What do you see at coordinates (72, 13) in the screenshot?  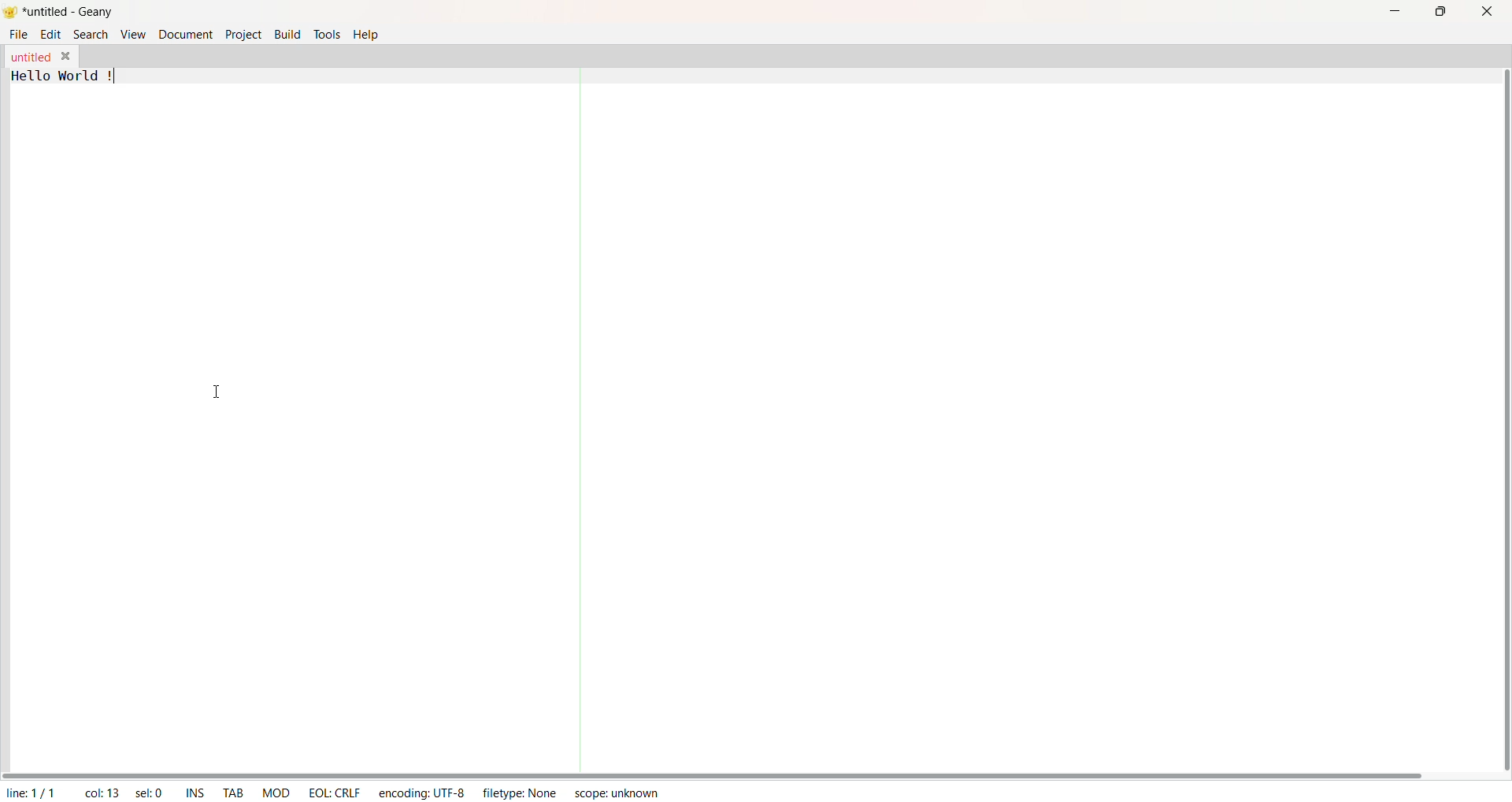 I see `Title` at bounding box center [72, 13].